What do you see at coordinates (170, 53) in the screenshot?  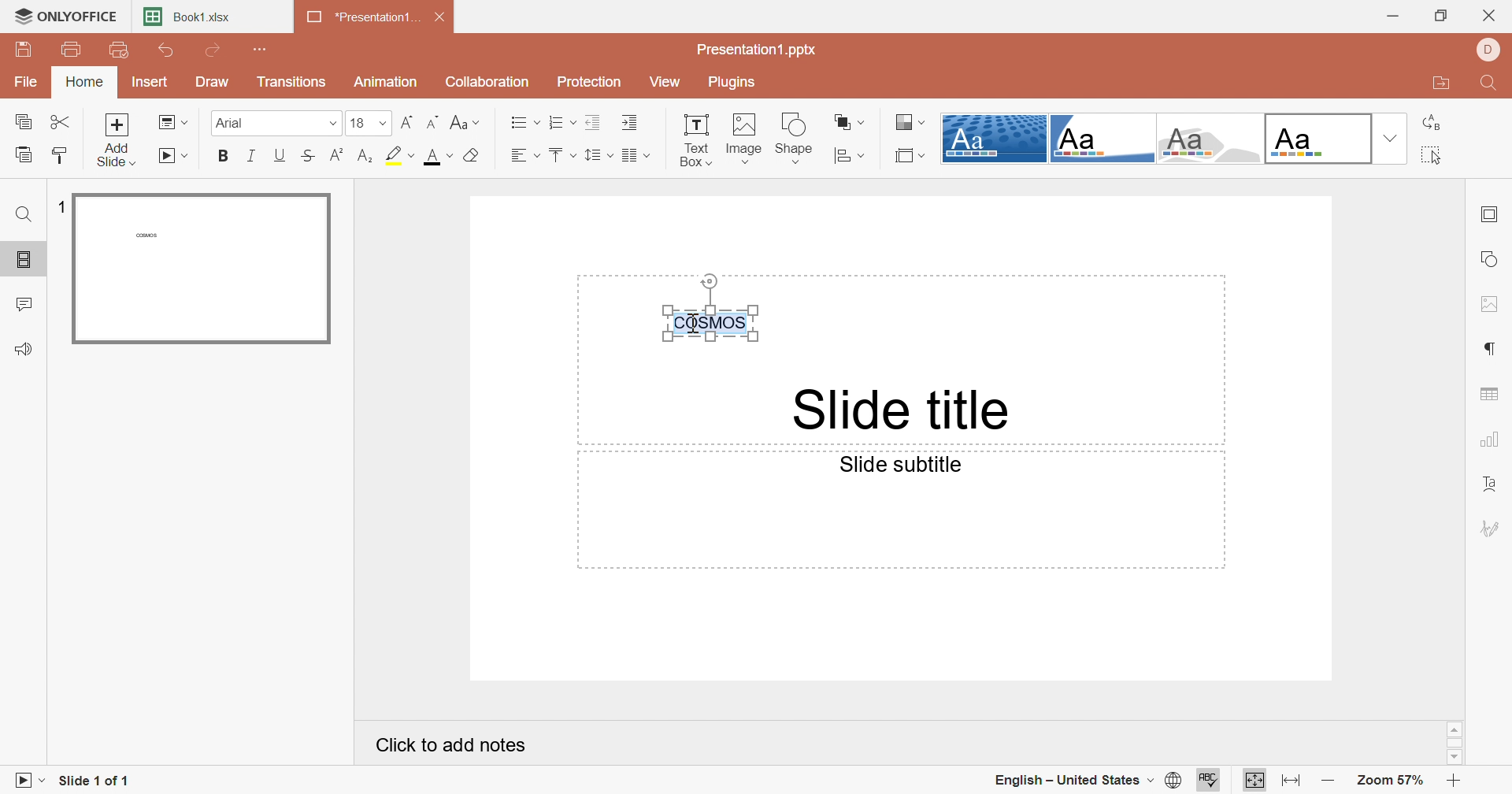 I see `Undo` at bounding box center [170, 53].